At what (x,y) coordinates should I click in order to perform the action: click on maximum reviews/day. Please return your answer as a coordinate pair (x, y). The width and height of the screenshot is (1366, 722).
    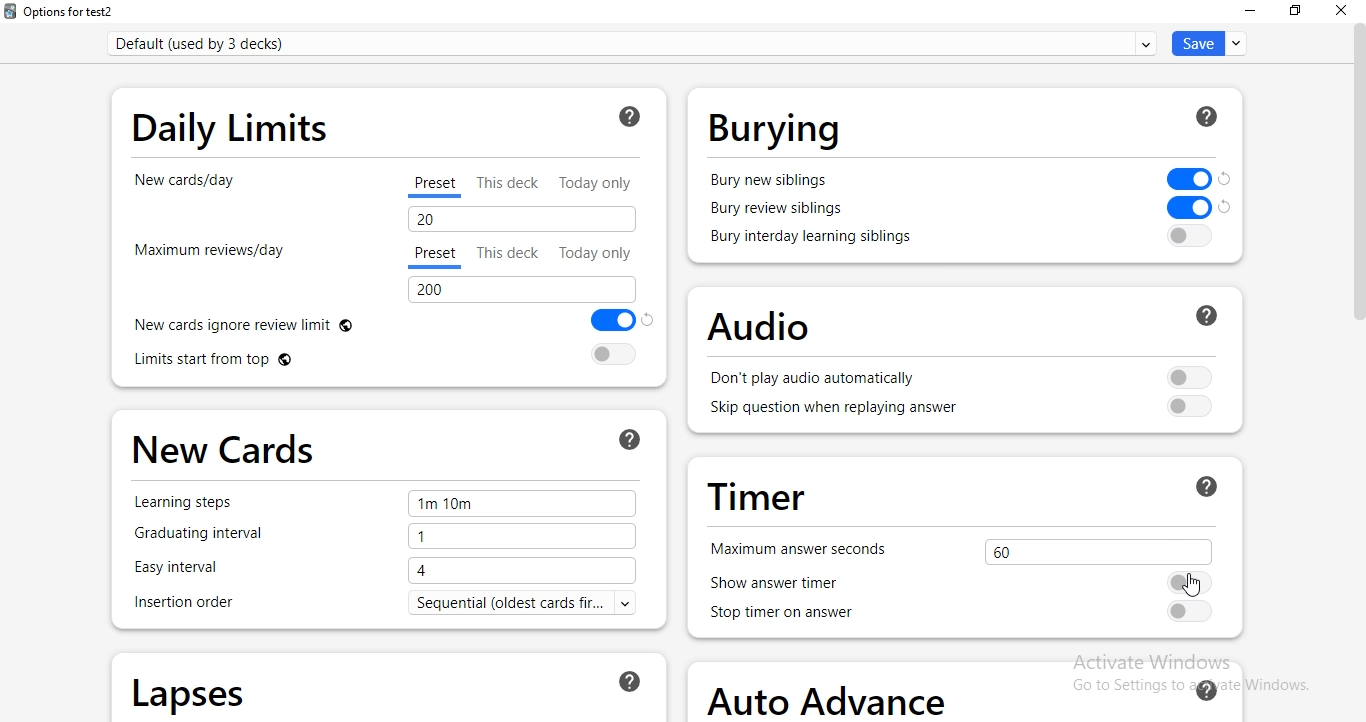
    Looking at the image, I should click on (198, 246).